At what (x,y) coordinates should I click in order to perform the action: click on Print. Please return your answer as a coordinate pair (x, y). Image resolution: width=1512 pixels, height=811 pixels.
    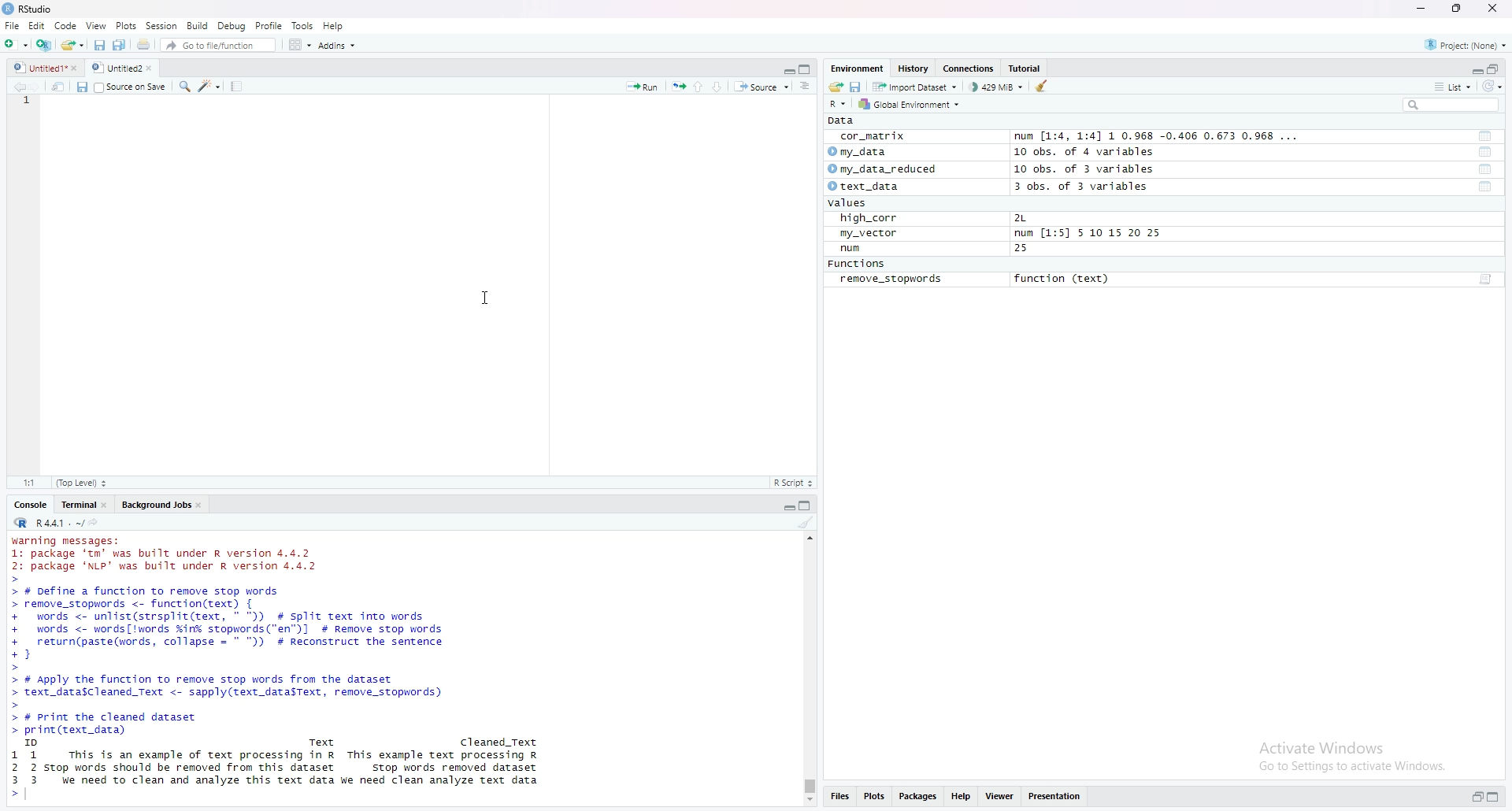
    Looking at the image, I should click on (143, 45).